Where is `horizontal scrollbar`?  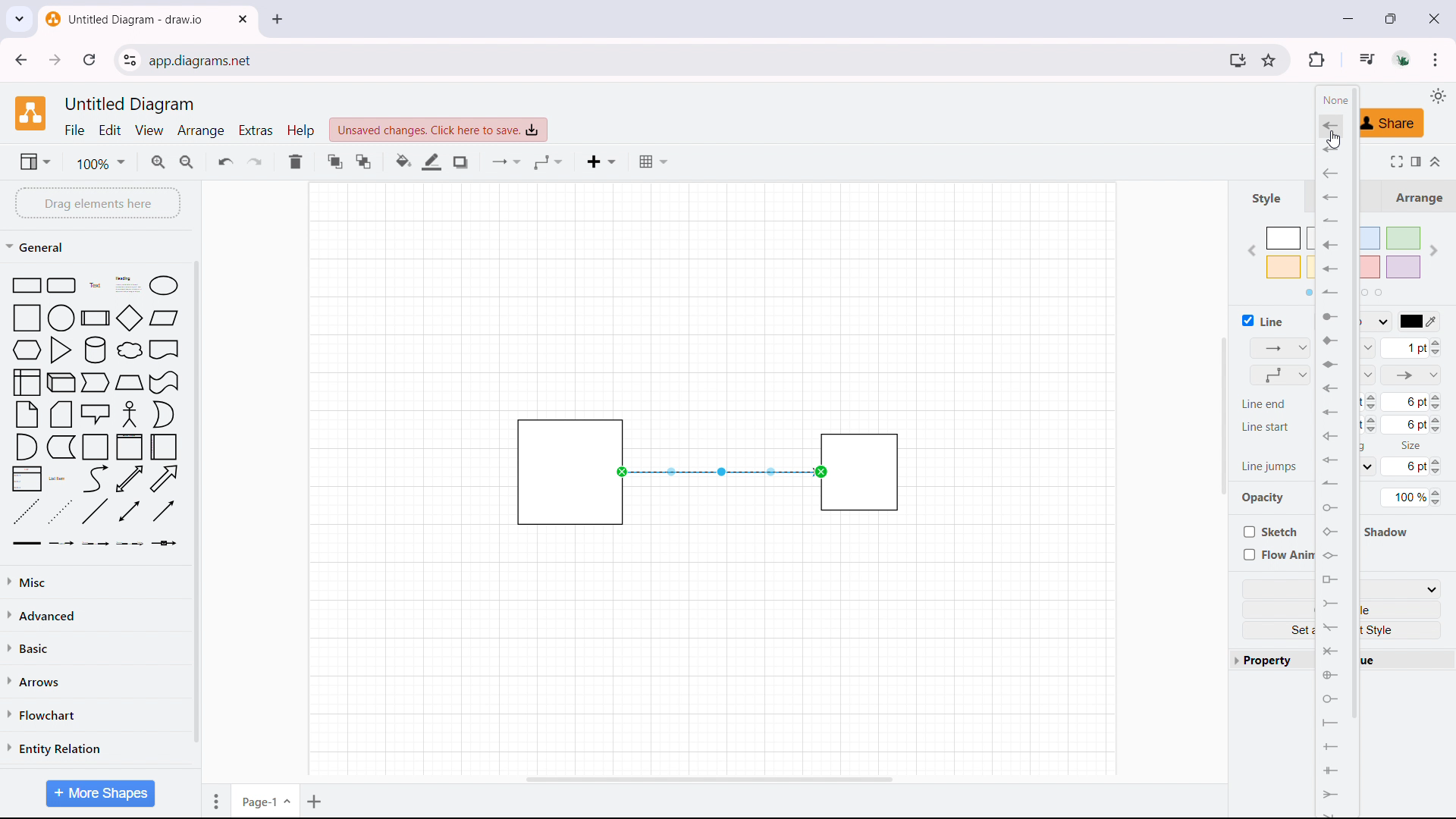 horizontal scrollbar is located at coordinates (710, 780).